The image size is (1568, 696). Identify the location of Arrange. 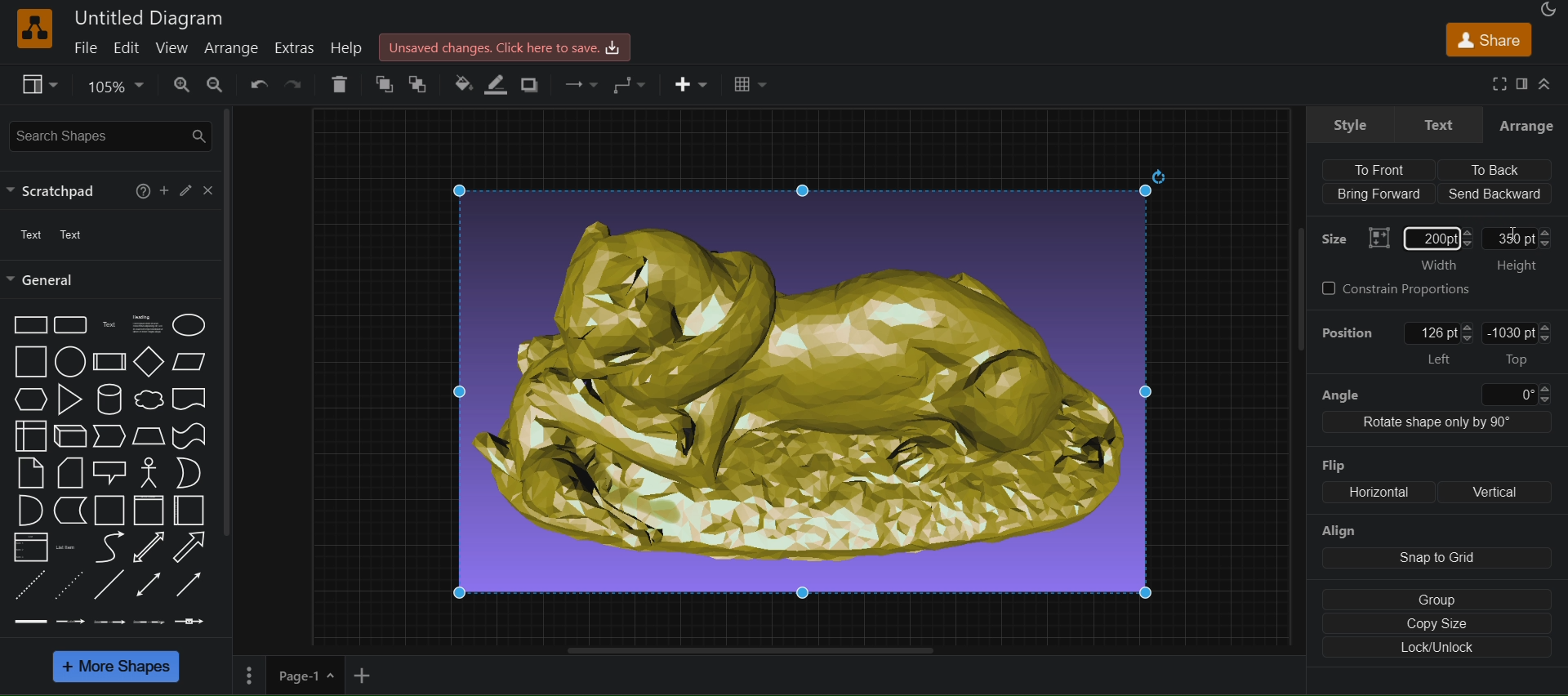
(1527, 125).